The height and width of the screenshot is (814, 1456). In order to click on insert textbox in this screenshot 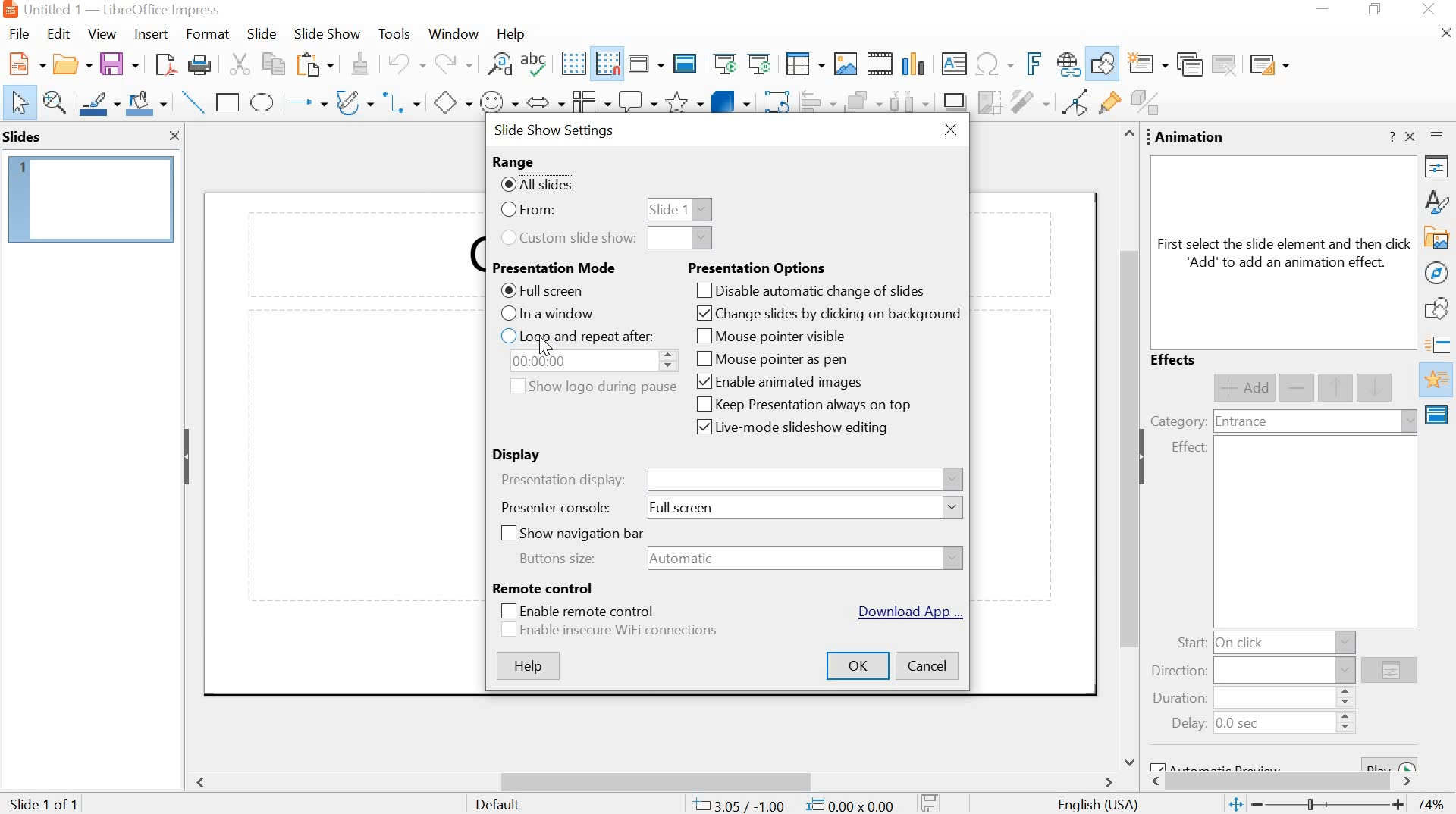, I will do `click(955, 64)`.